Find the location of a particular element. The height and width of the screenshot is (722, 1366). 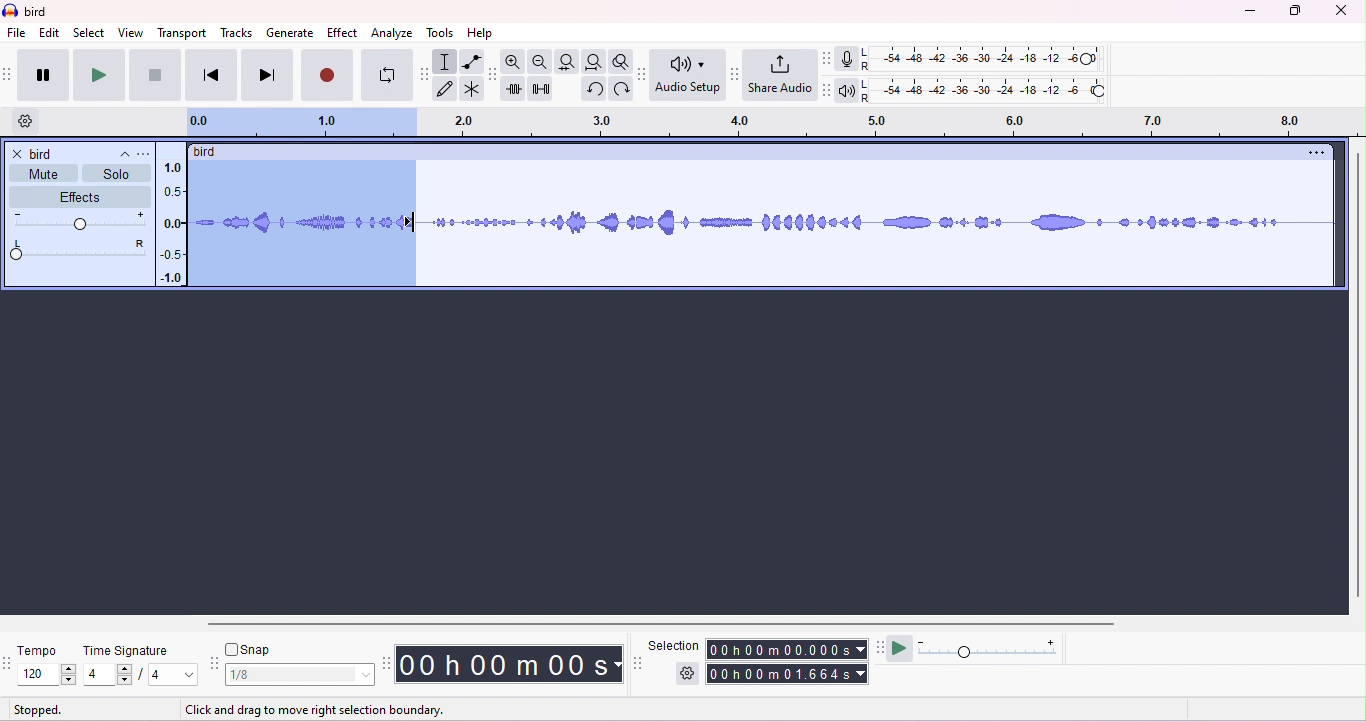

redo is located at coordinates (624, 90).